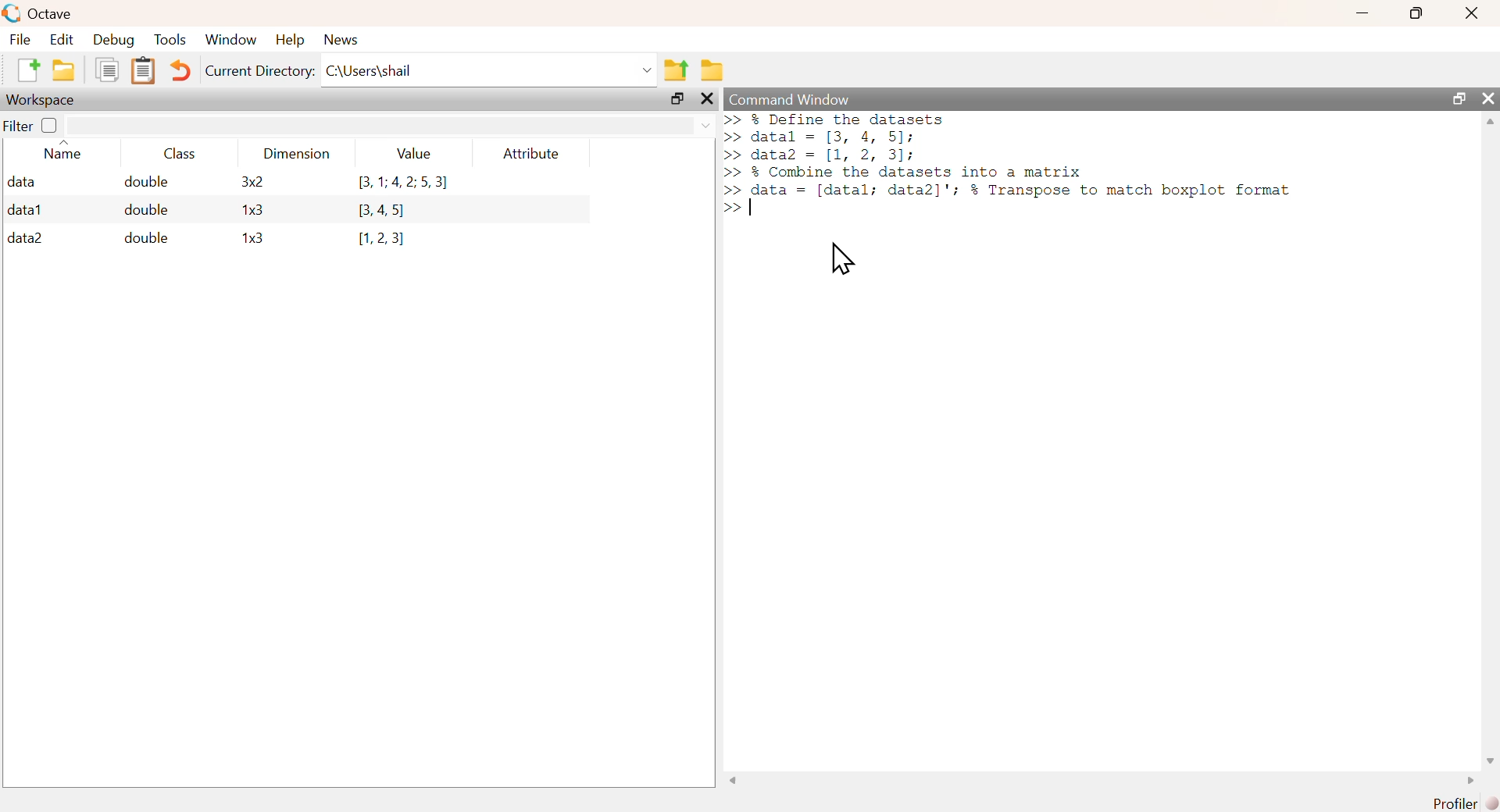  What do you see at coordinates (21, 39) in the screenshot?
I see `File` at bounding box center [21, 39].